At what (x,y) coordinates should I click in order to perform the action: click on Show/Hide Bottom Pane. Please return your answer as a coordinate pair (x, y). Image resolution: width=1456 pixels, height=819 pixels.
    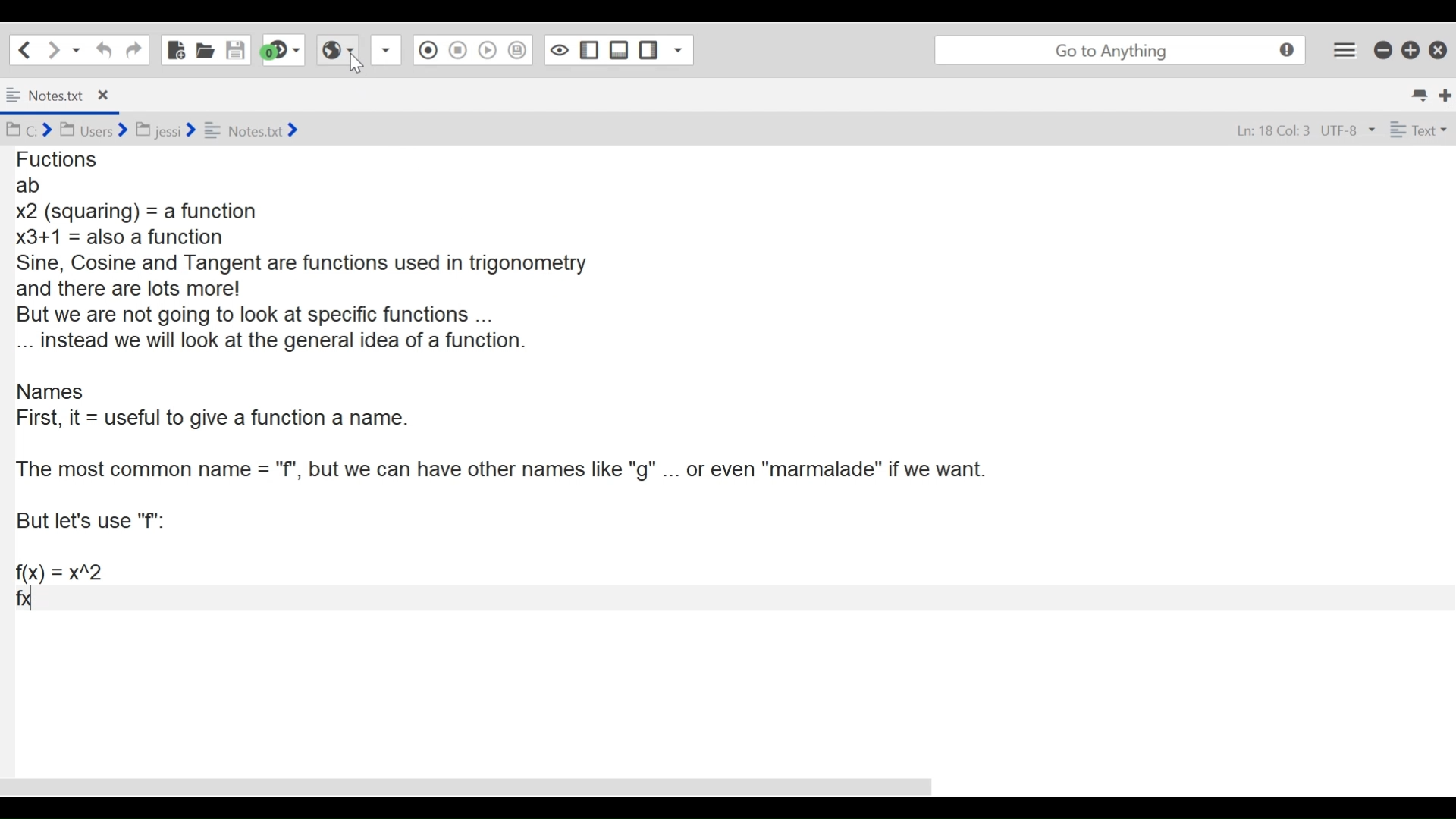
    Looking at the image, I should click on (617, 52).